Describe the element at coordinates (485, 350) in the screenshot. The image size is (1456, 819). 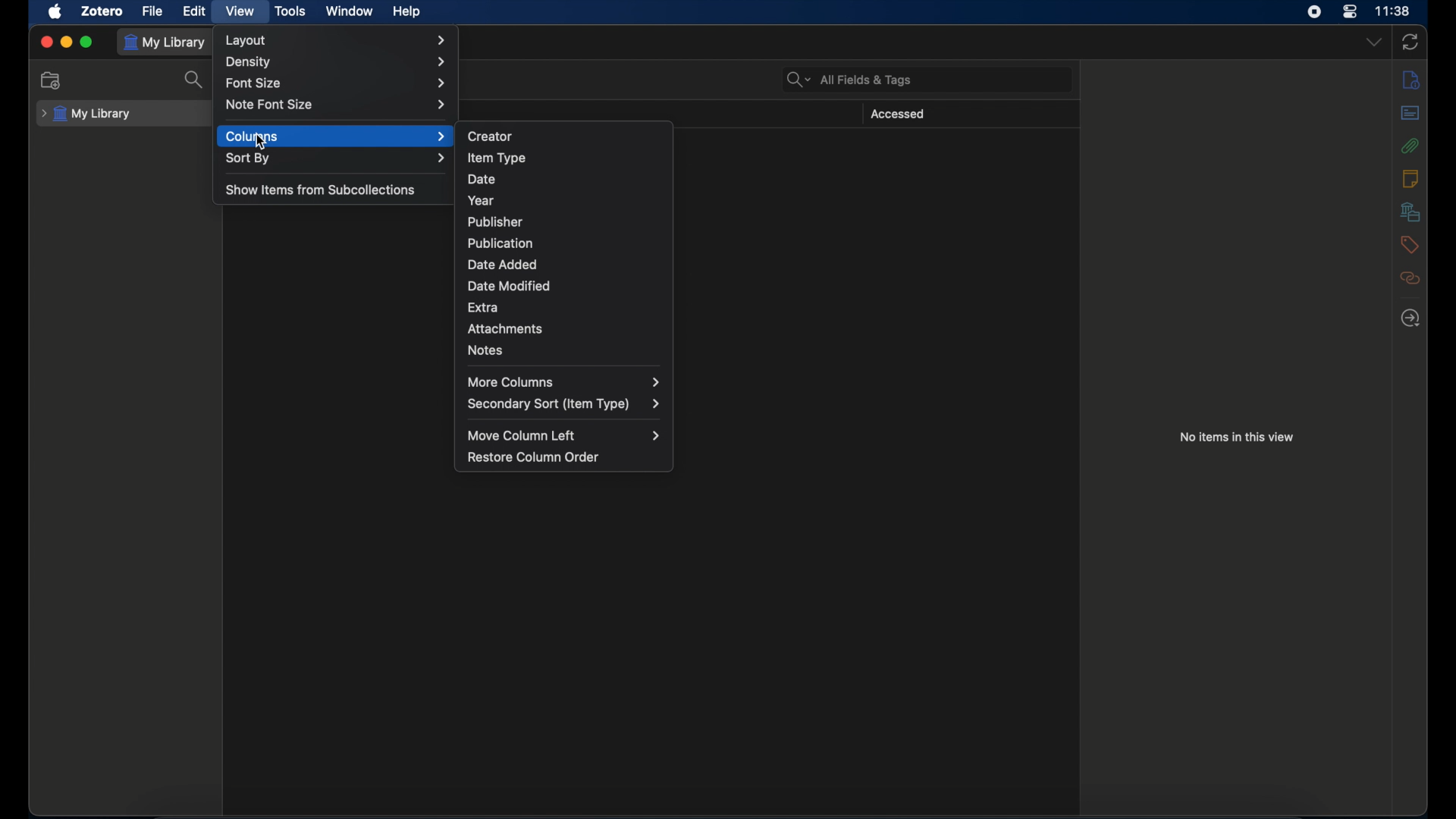
I see `notes` at that location.